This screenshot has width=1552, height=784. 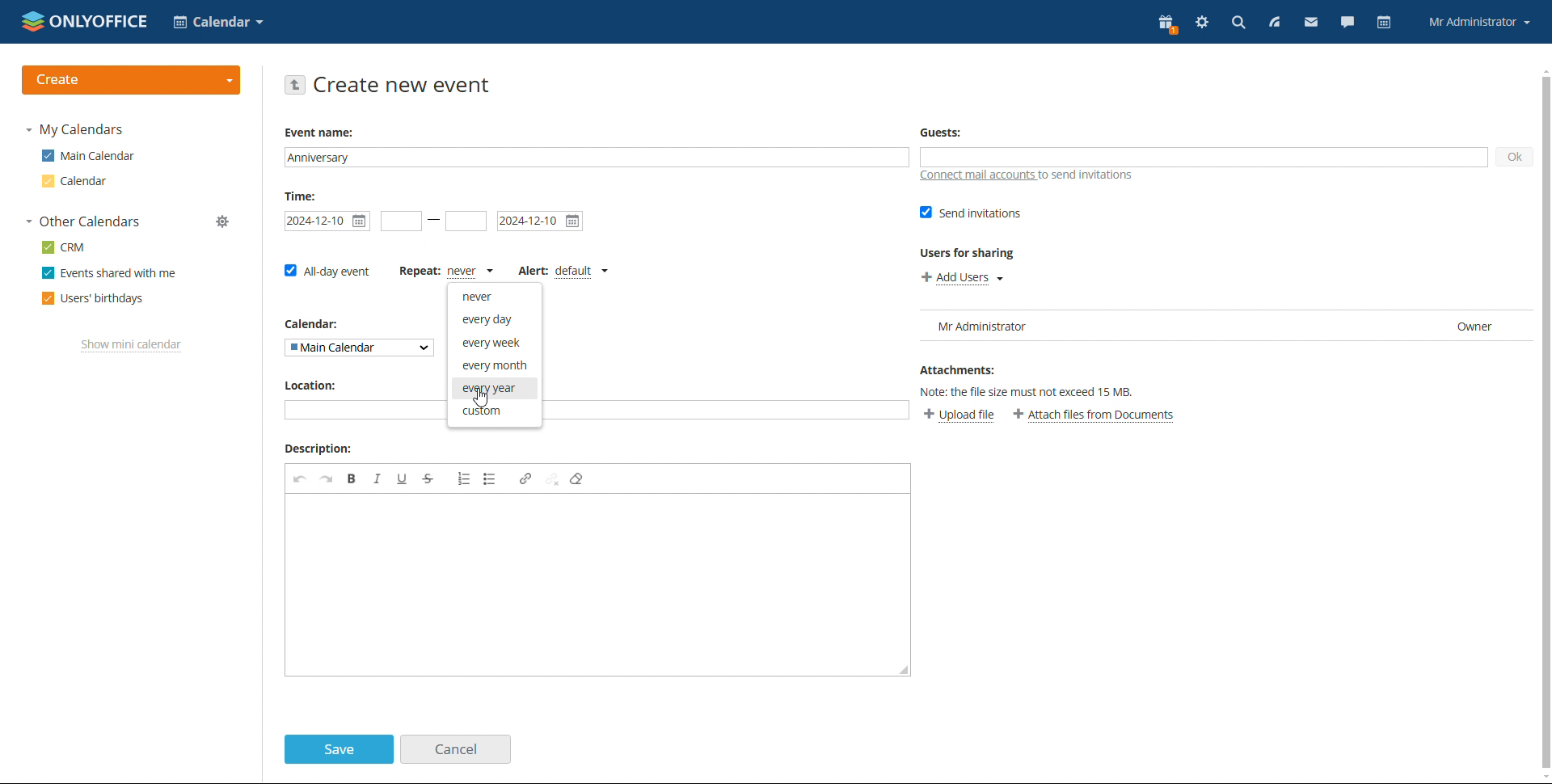 I want to click on send invitations, so click(x=972, y=213).